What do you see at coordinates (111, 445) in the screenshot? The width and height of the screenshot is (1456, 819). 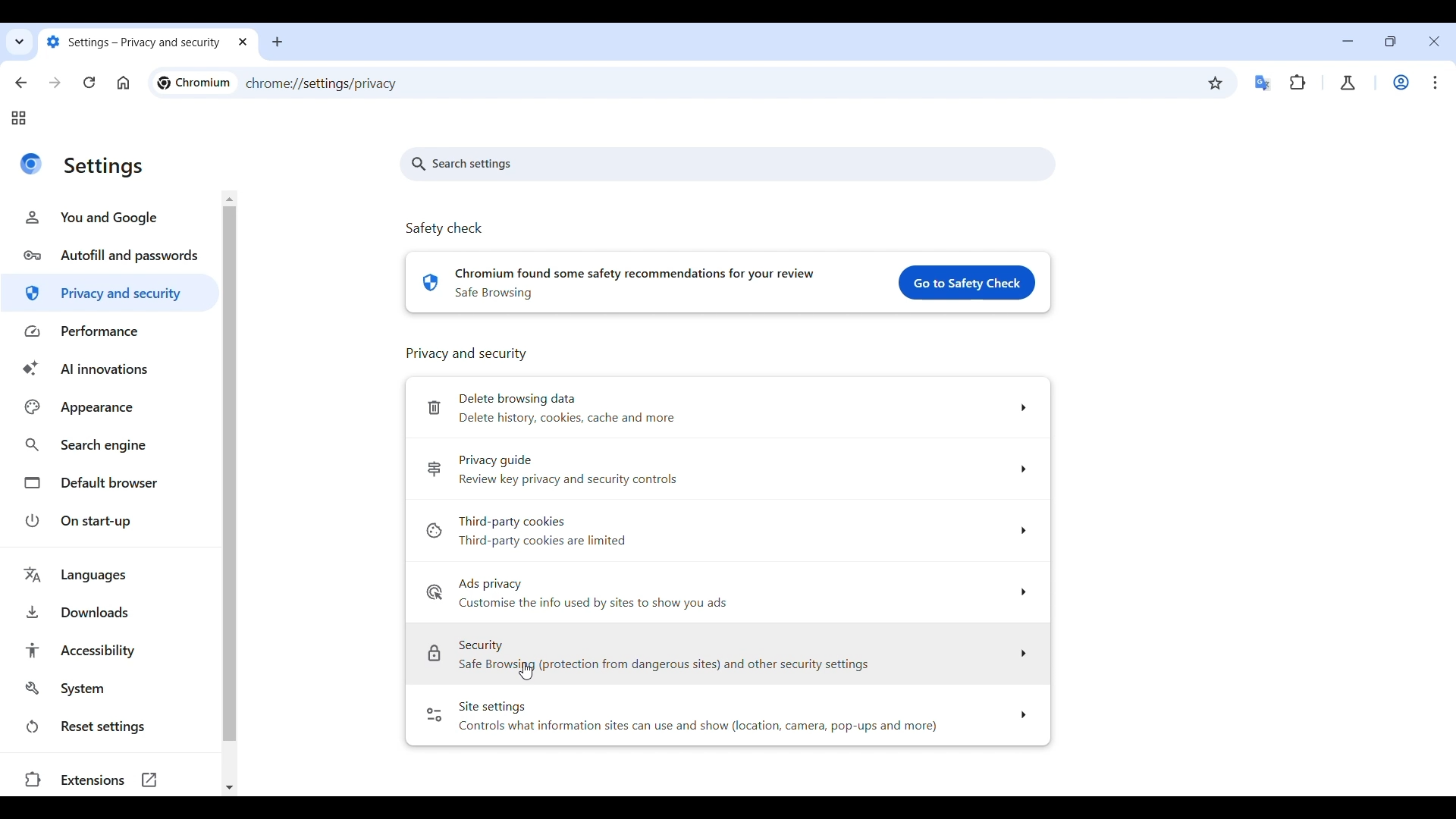 I see `Search engine` at bounding box center [111, 445].